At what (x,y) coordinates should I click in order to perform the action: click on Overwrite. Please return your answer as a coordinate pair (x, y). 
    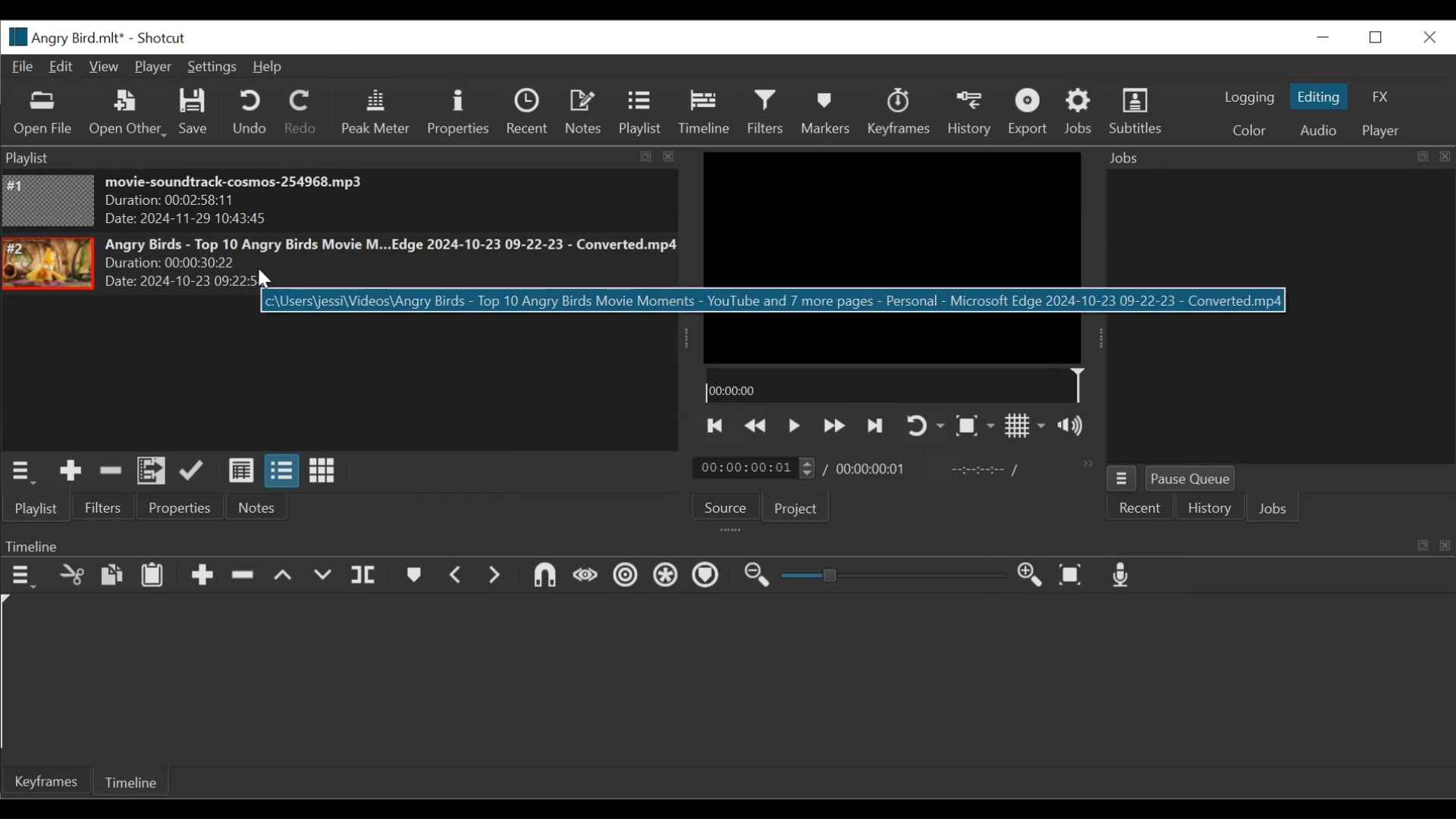
    Looking at the image, I should click on (324, 576).